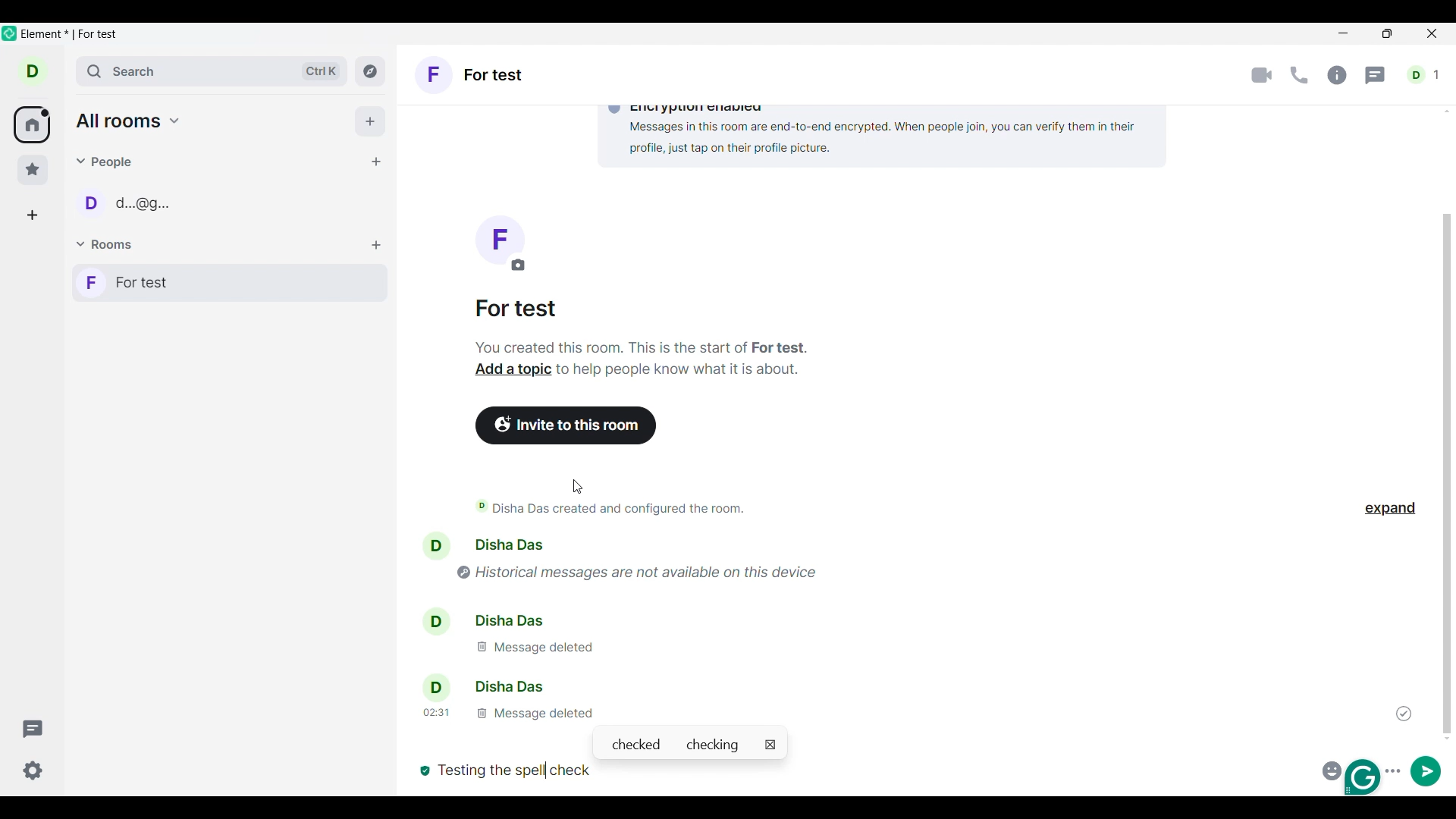 The width and height of the screenshot is (1456, 819). What do you see at coordinates (423, 769) in the screenshot?
I see `everyone in this room is verified` at bounding box center [423, 769].